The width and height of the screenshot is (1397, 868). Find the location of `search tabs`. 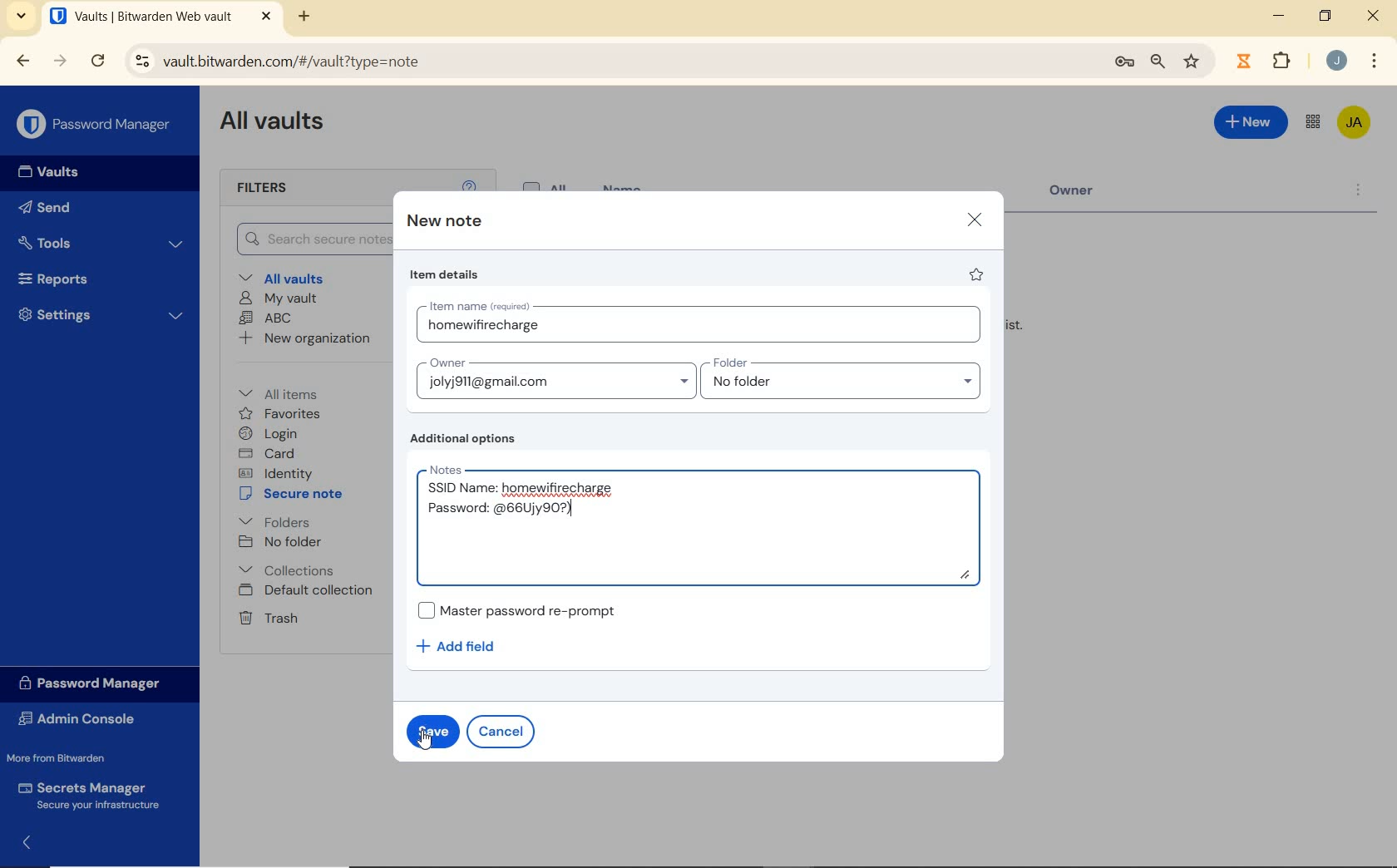

search tabs is located at coordinates (23, 18).